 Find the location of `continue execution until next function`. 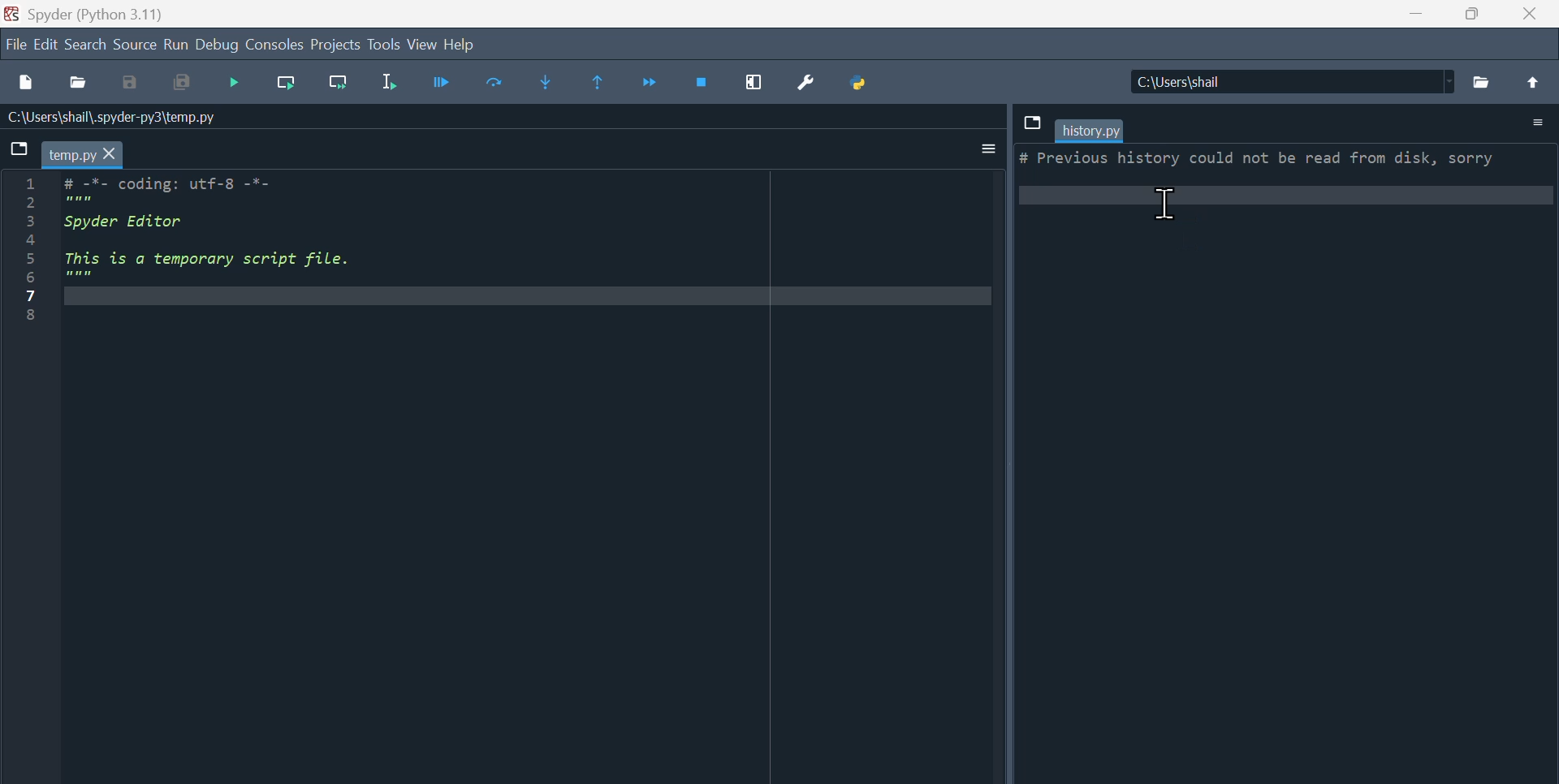

continue execution until next function is located at coordinates (653, 84).